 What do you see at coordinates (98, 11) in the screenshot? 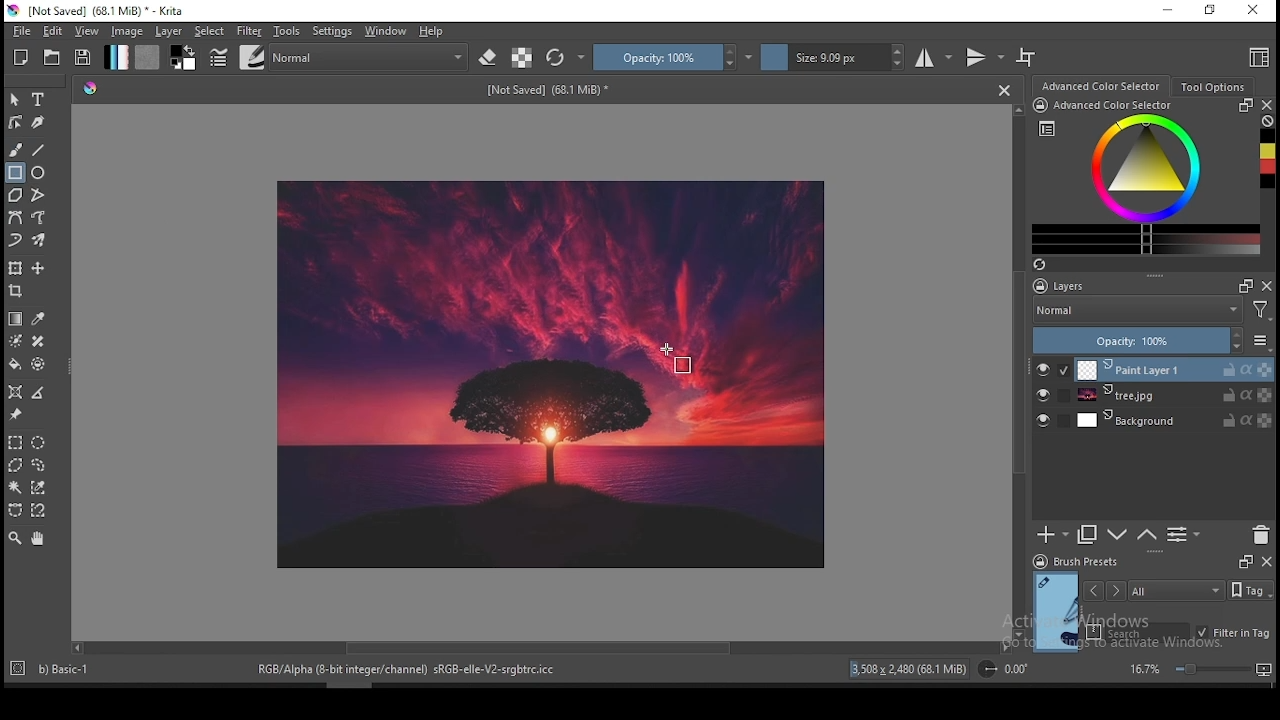
I see `icon and file name` at bounding box center [98, 11].